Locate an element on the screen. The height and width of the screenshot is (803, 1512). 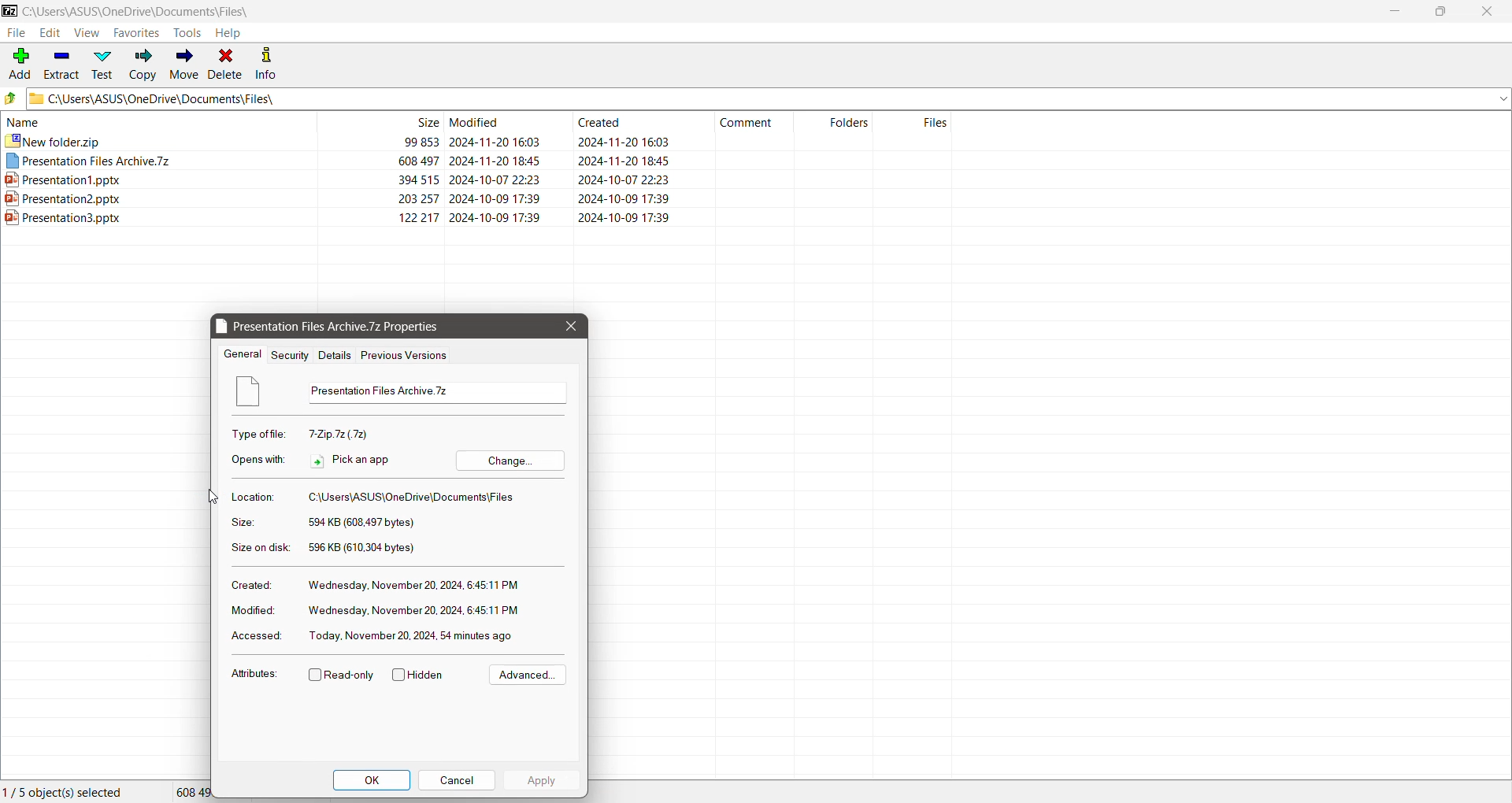
Extract is located at coordinates (61, 65).